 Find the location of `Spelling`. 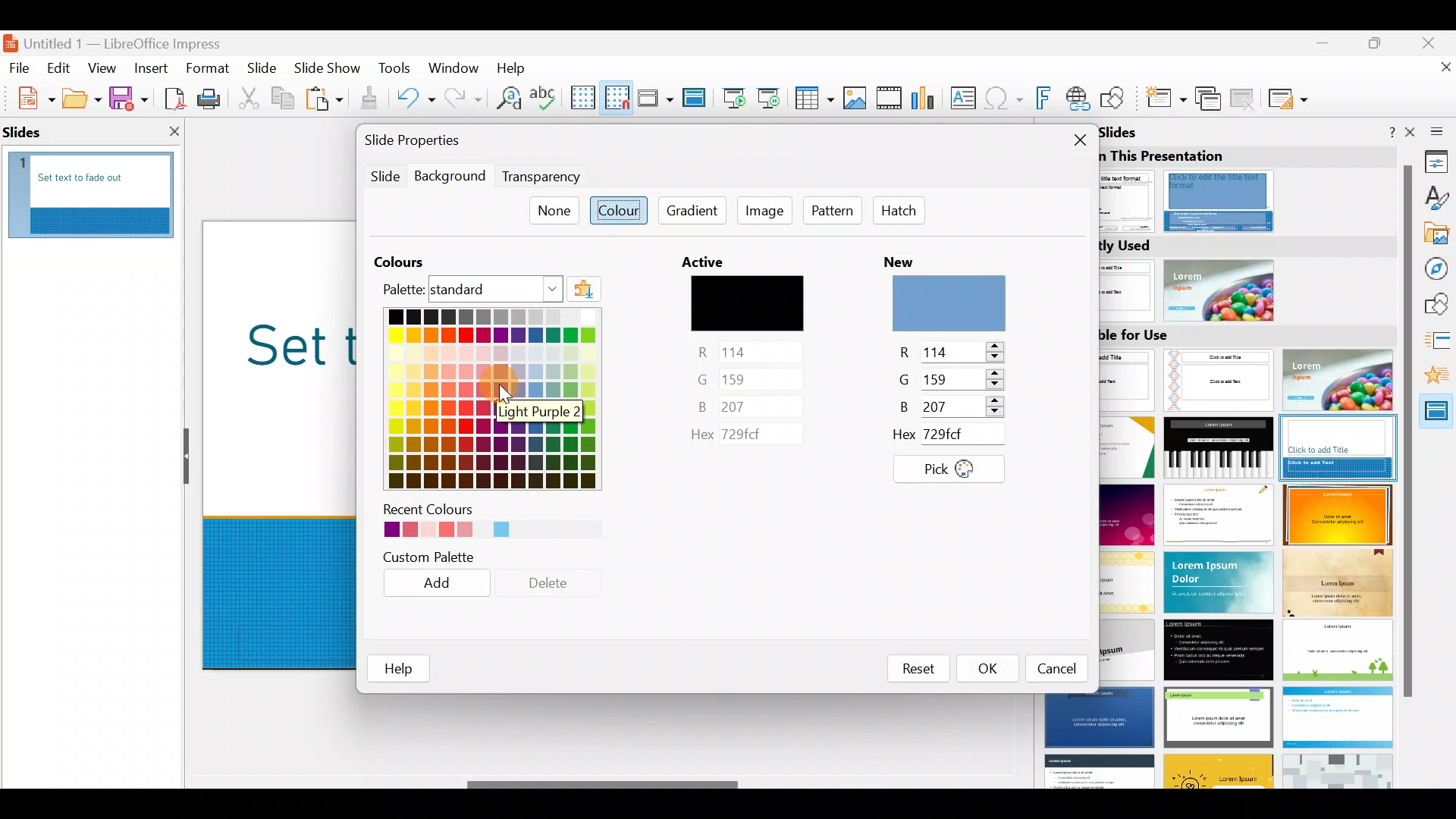

Spelling is located at coordinates (545, 97).